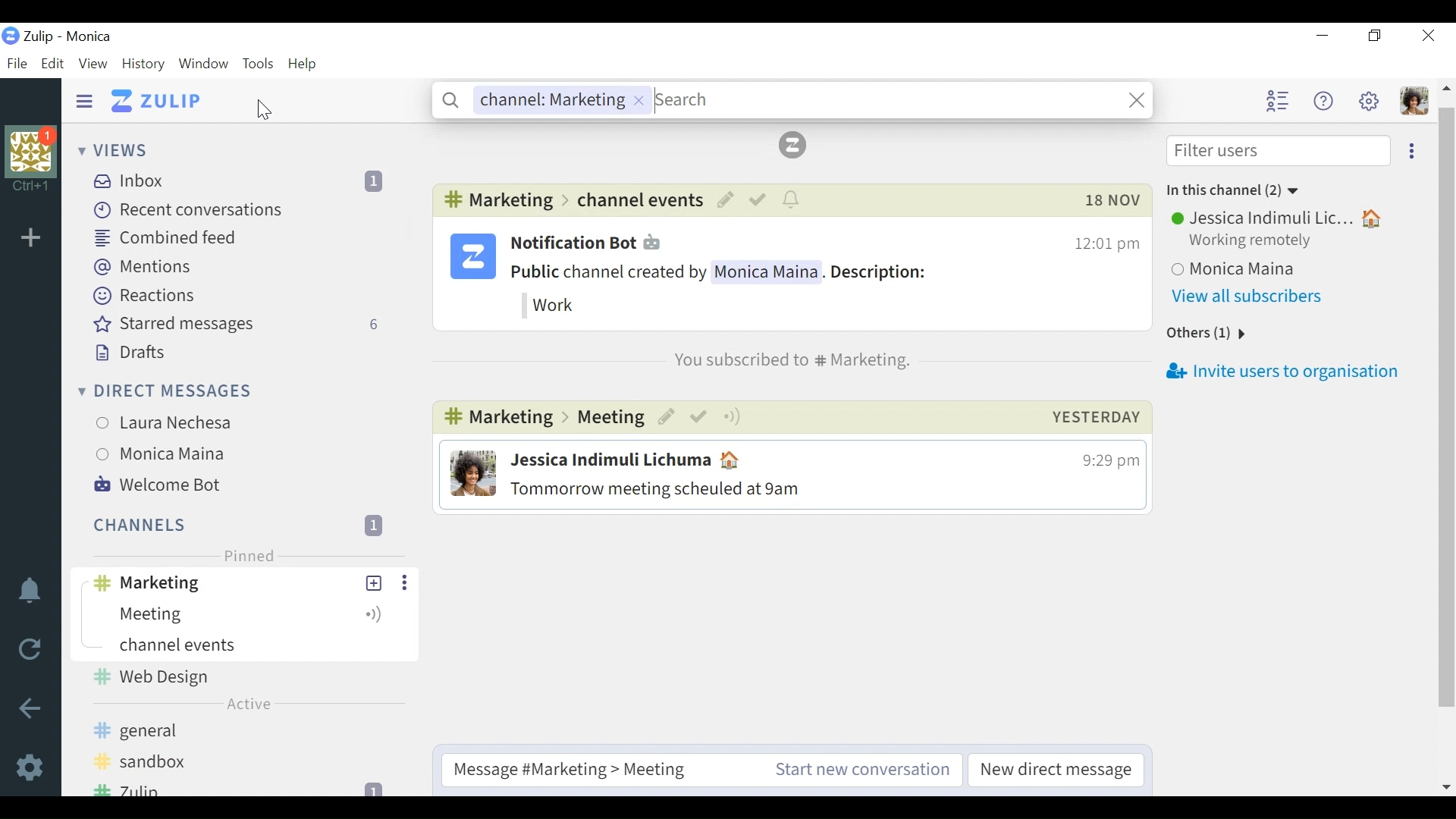  Describe the element at coordinates (468, 473) in the screenshot. I see `profile picture` at that location.